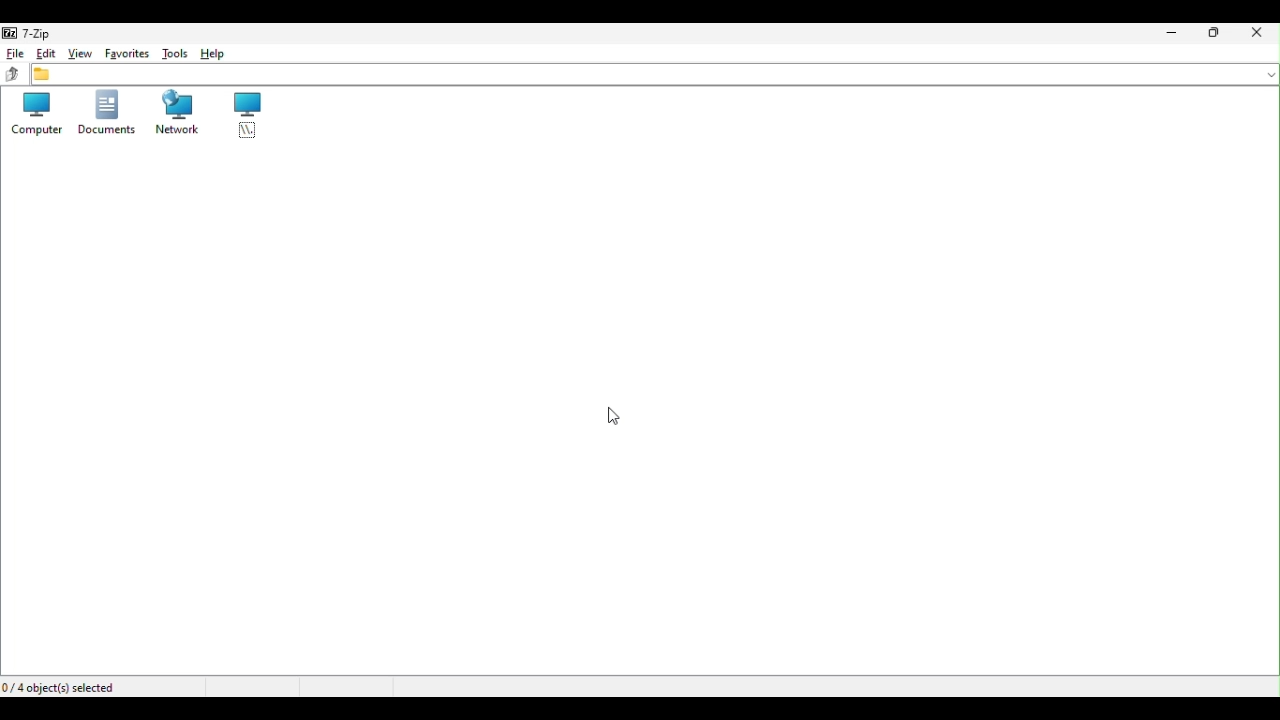 This screenshot has height=720, width=1280. Describe the element at coordinates (175, 115) in the screenshot. I see `Network` at that location.